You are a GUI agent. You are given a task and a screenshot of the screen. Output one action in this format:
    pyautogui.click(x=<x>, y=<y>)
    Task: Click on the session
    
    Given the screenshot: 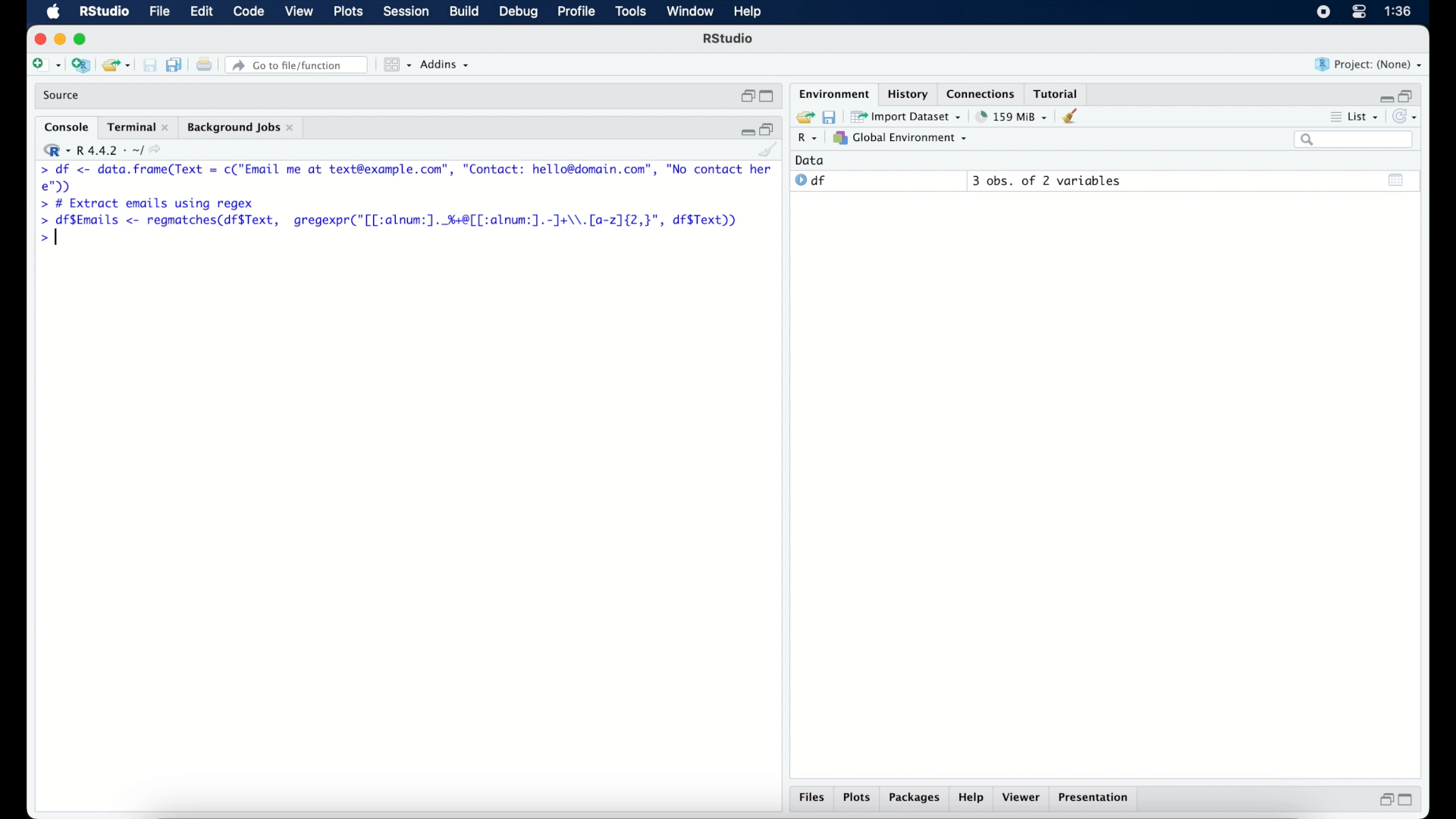 What is the action you would take?
    pyautogui.click(x=406, y=12)
    